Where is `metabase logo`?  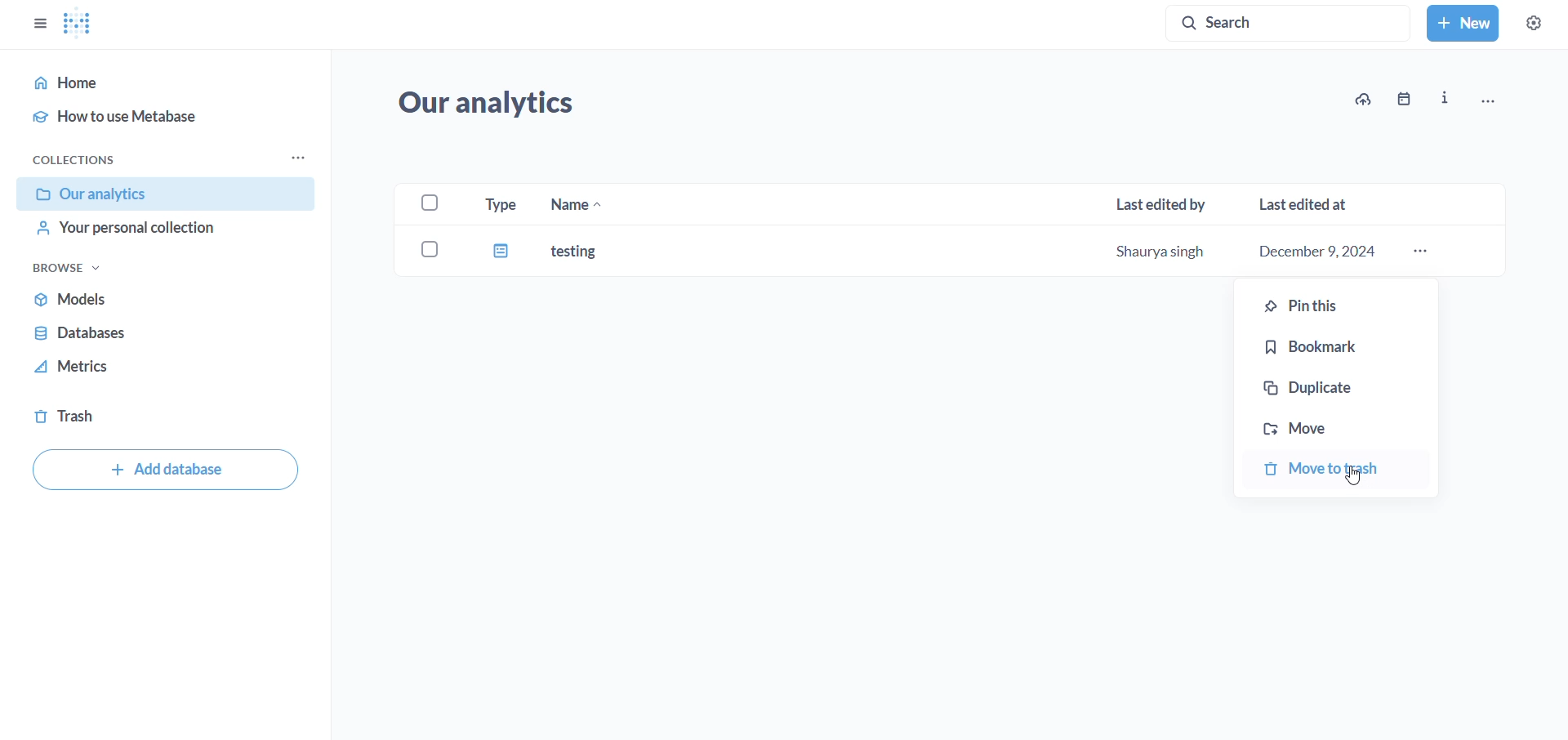 metabase logo is located at coordinates (77, 23).